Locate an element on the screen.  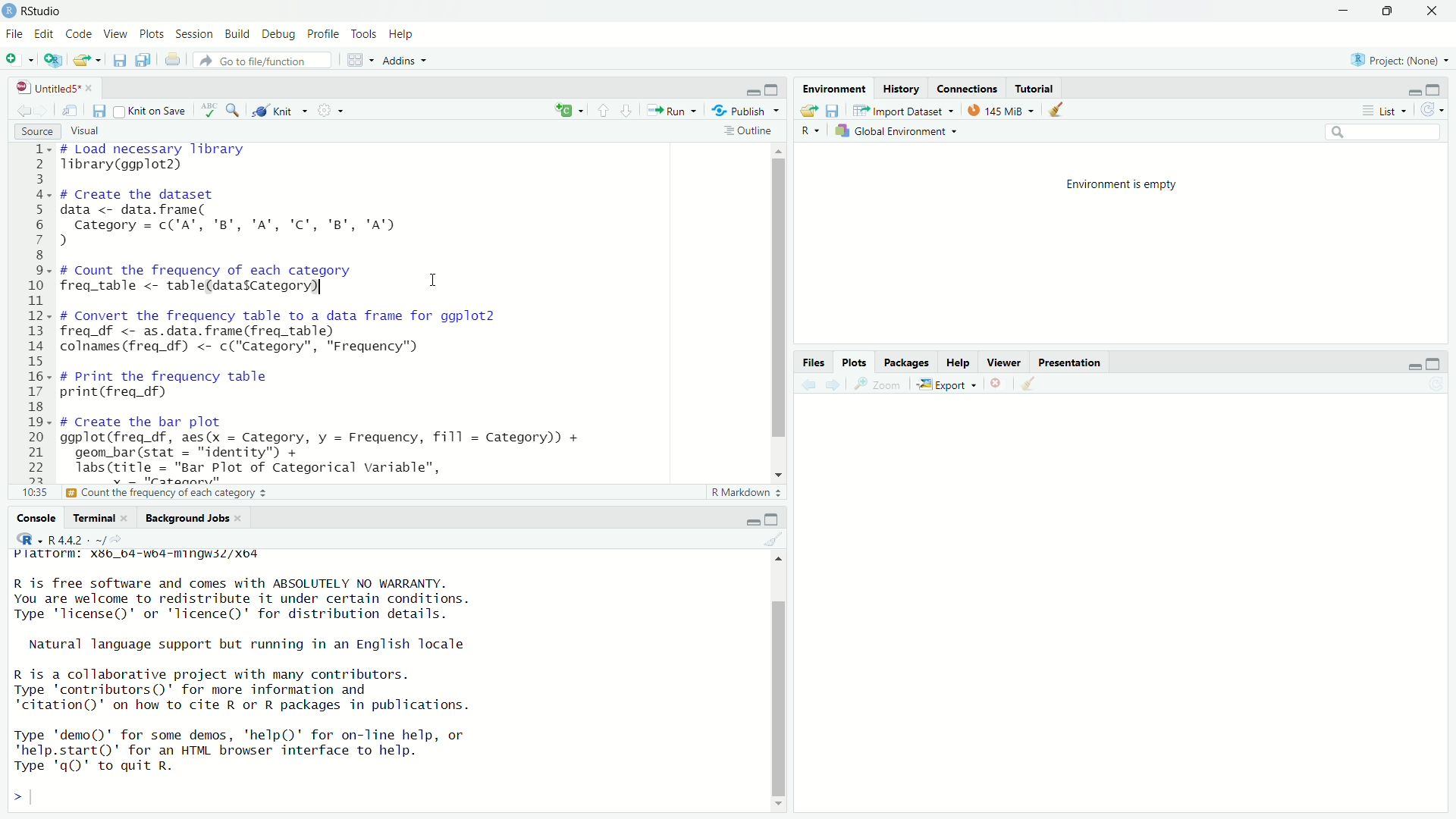
minimize is located at coordinates (1345, 11).